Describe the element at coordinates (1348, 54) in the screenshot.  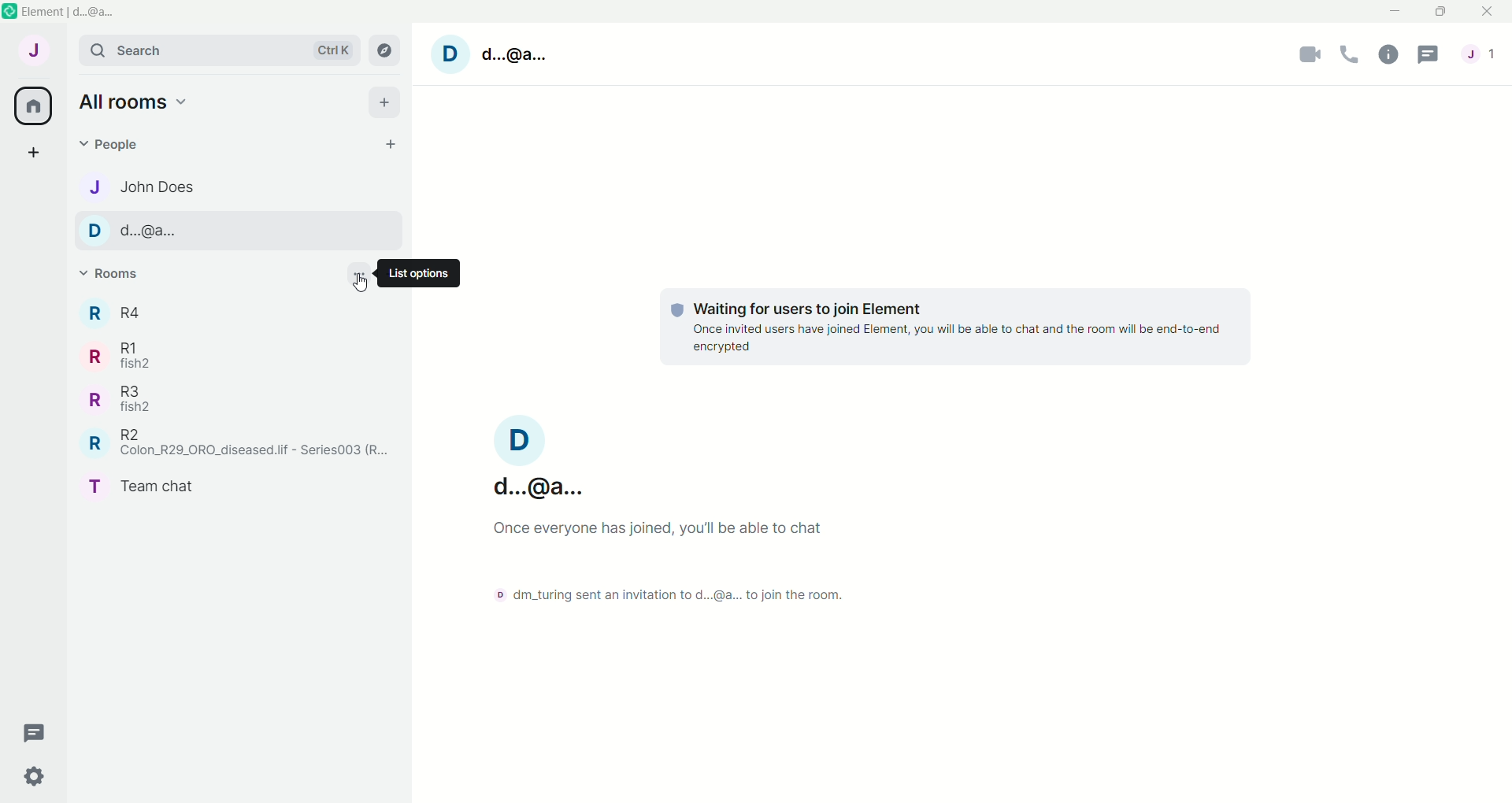
I see `Voice call` at that location.